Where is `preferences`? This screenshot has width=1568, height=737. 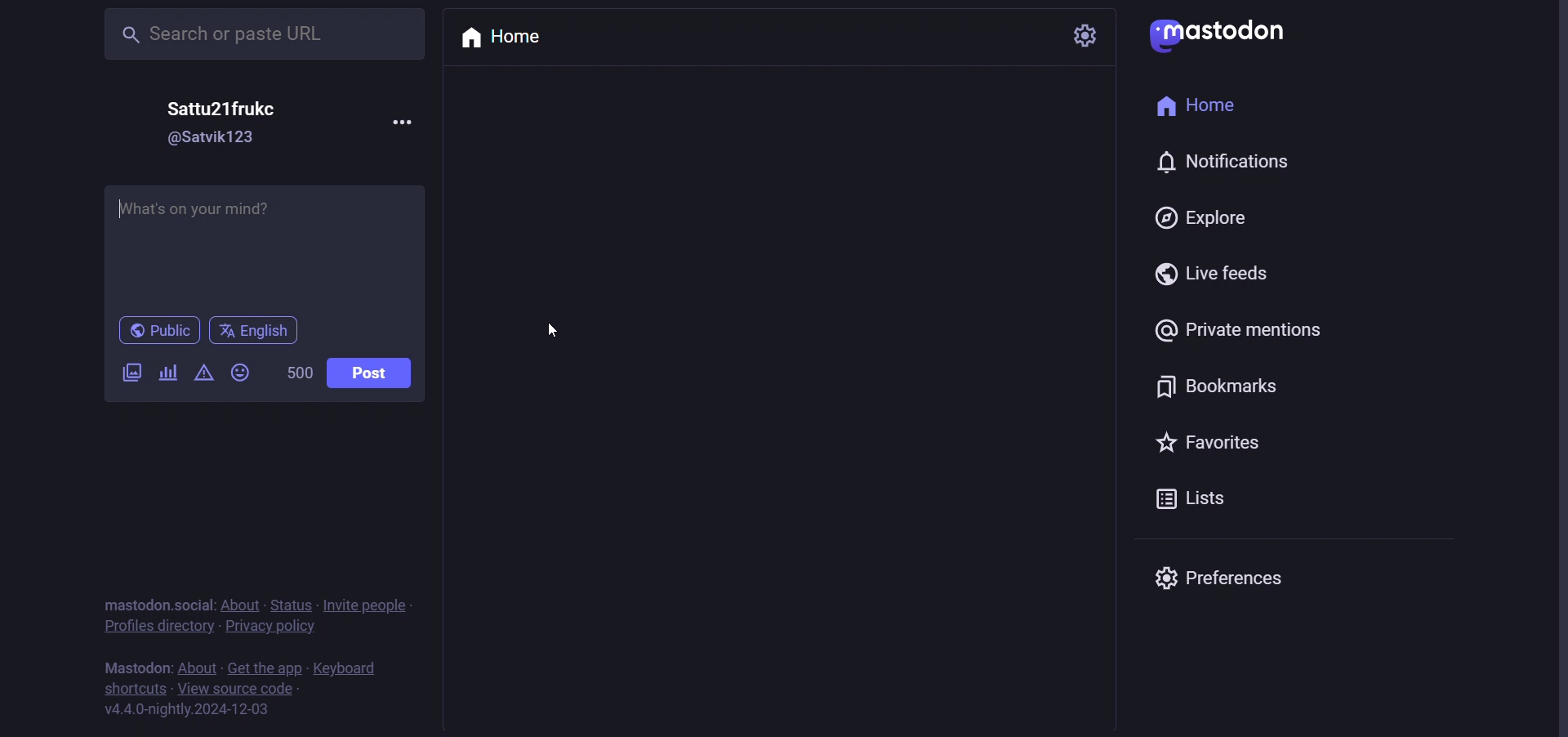 preferences is located at coordinates (1218, 577).